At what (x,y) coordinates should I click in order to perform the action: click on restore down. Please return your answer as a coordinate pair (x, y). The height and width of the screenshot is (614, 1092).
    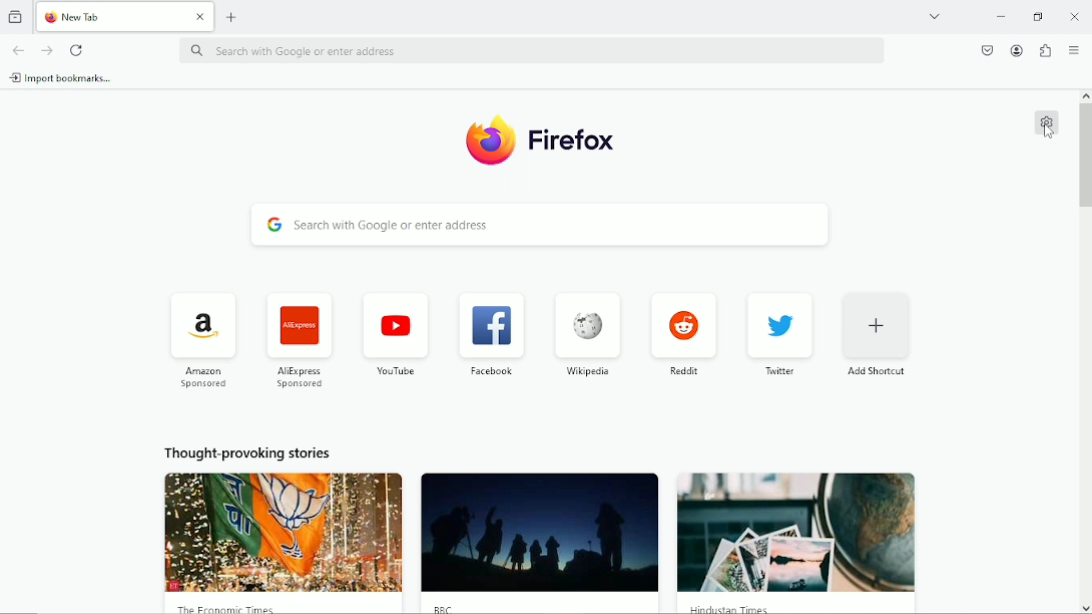
    Looking at the image, I should click on (1040, 15).